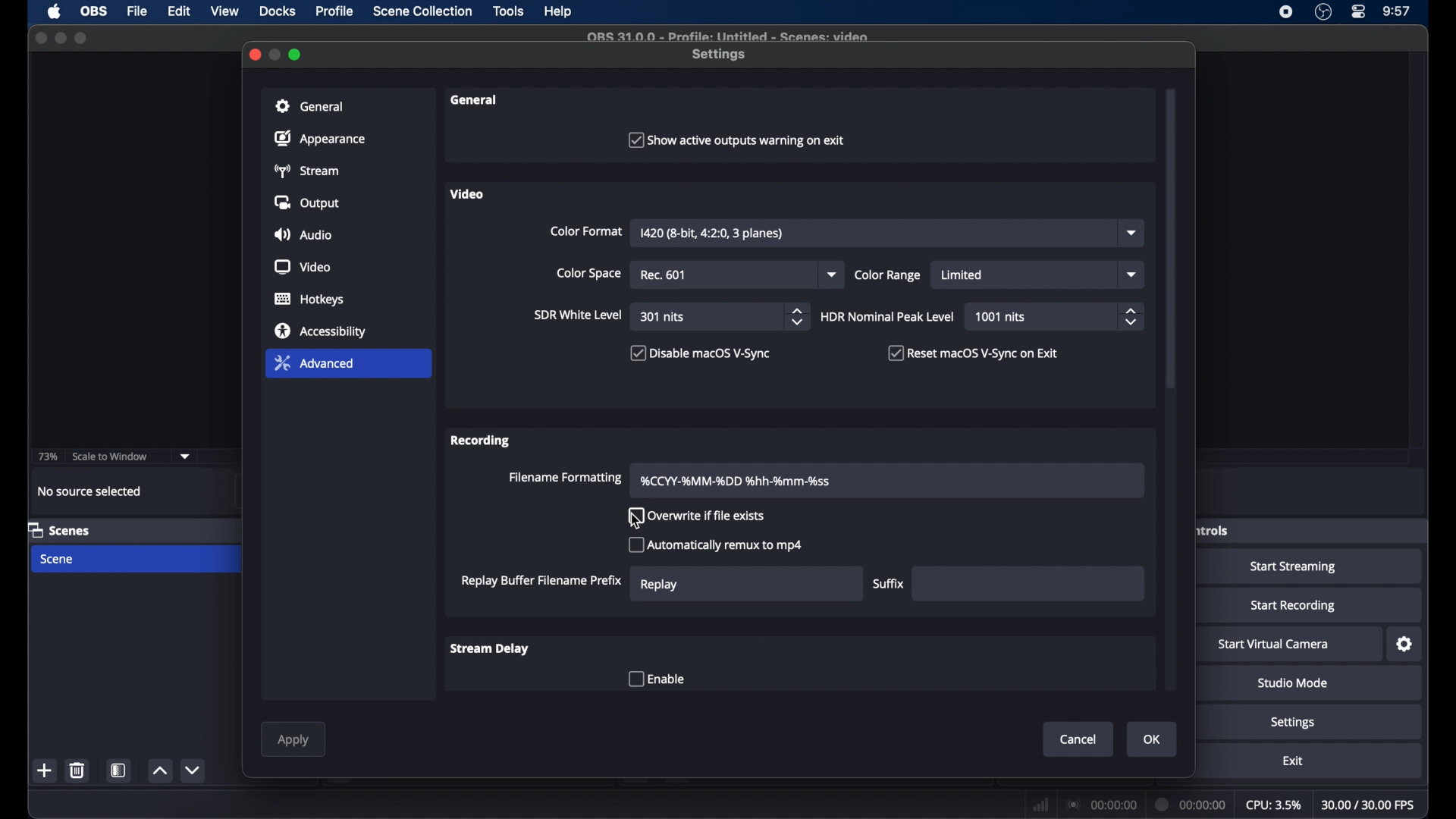 This screenshot has height=819, width=1456. What do you see at coordinates (588, 273) in the screenshot?
I see `color space` at bounding box center [588, 273].